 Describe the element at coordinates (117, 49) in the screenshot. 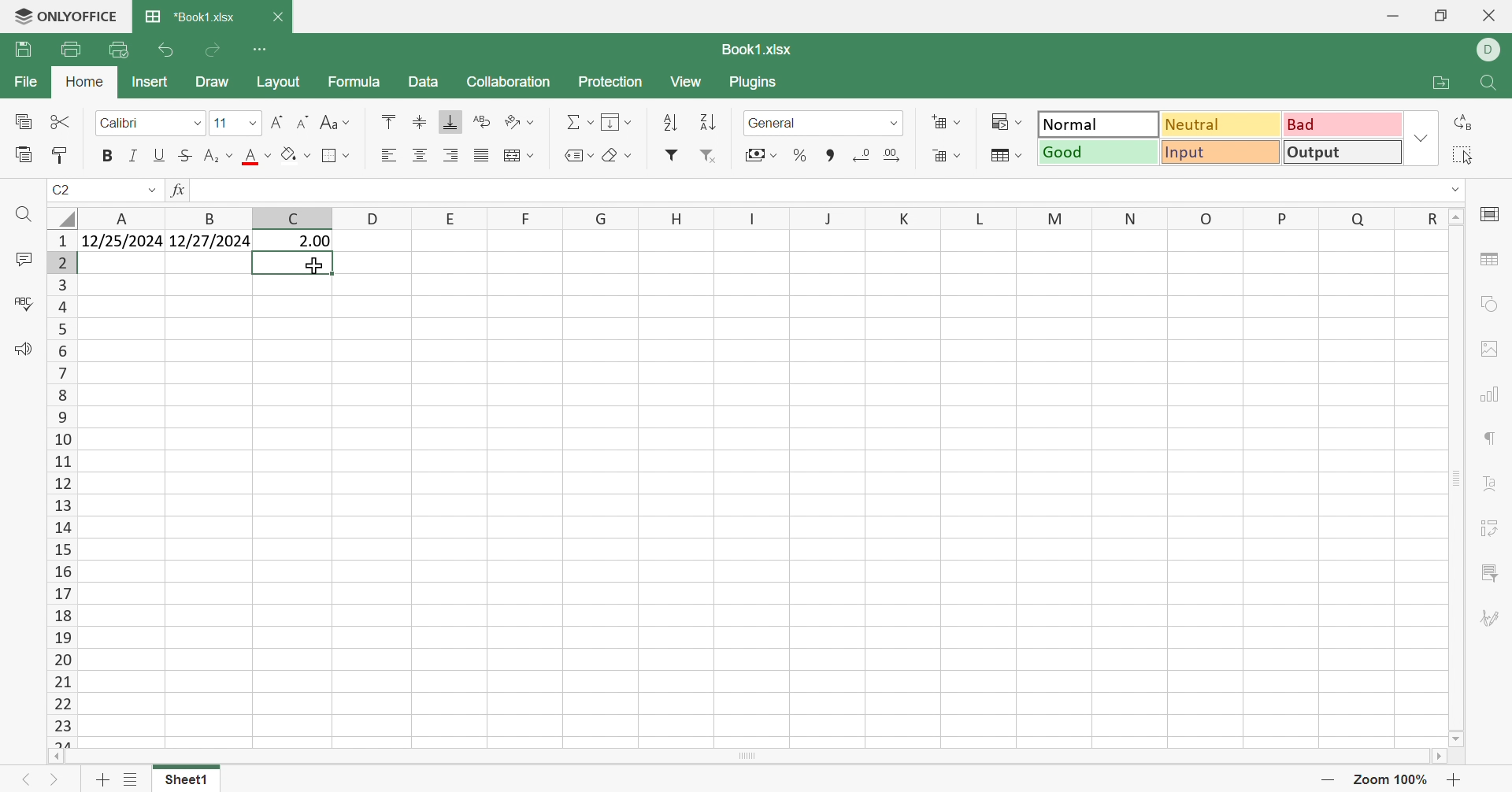

I see `Quick Print` at that location.